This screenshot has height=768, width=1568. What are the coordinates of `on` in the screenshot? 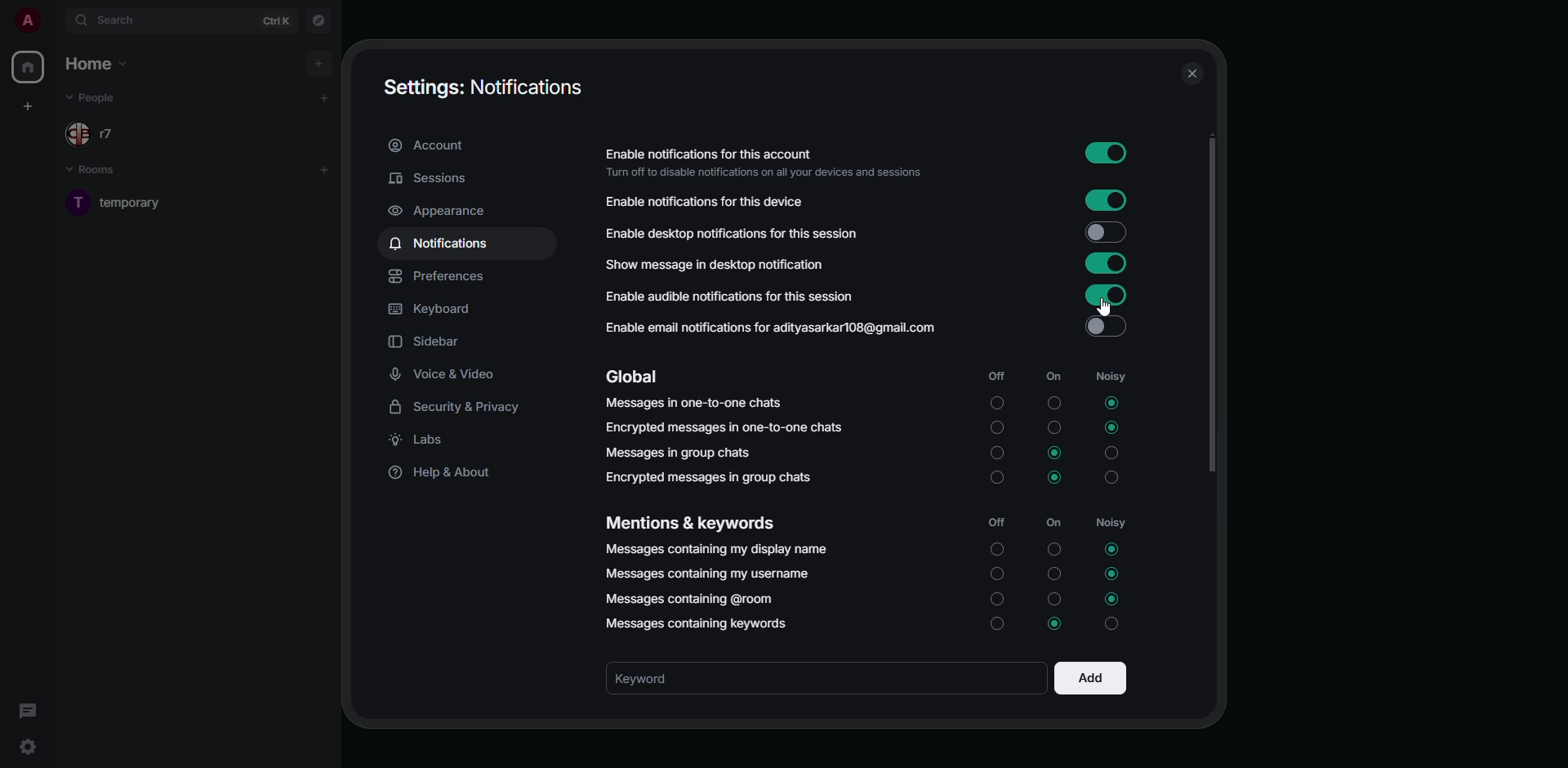 It's located at (1053, 572).